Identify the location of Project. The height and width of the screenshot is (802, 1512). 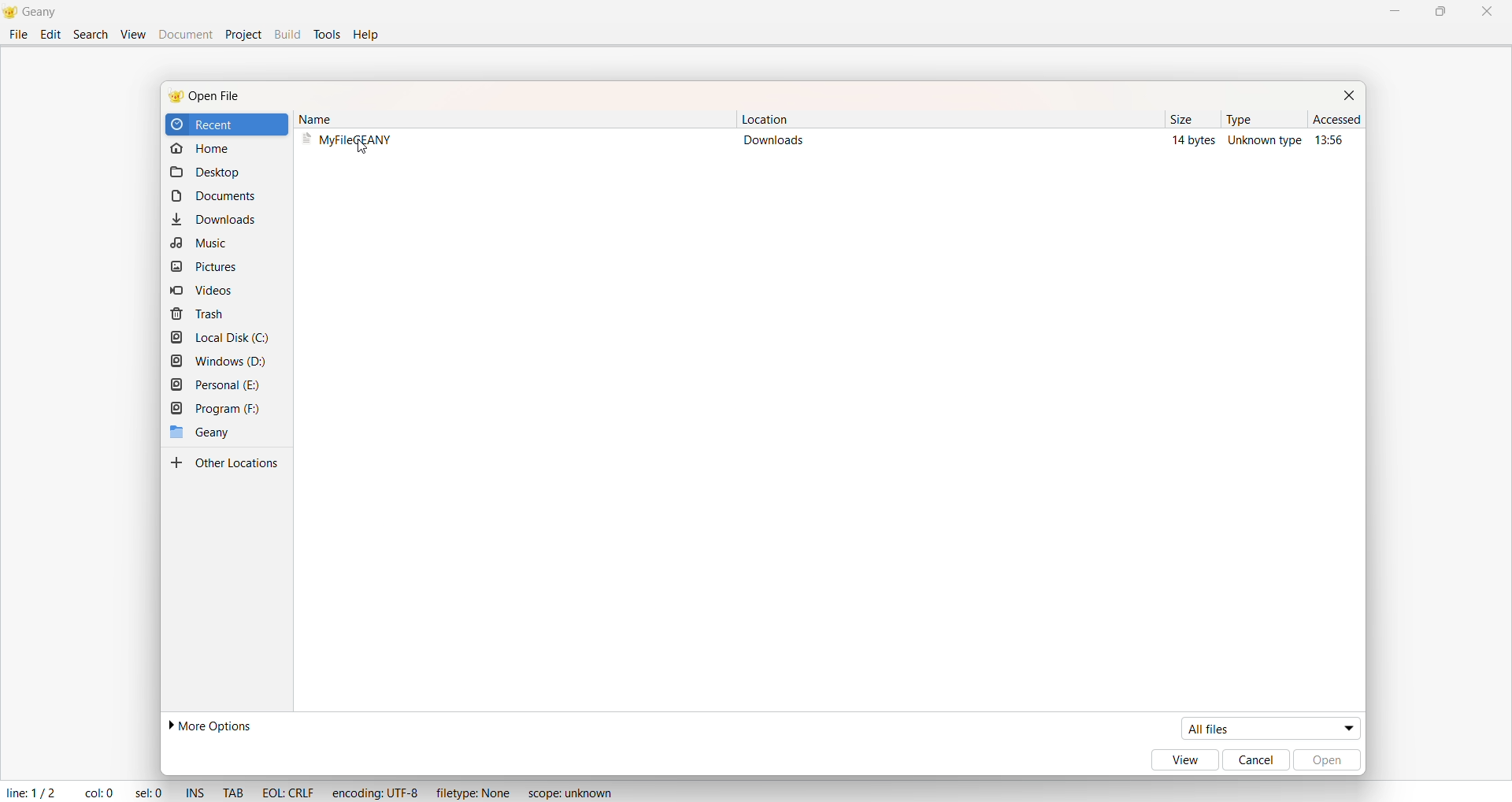
(243, 35).